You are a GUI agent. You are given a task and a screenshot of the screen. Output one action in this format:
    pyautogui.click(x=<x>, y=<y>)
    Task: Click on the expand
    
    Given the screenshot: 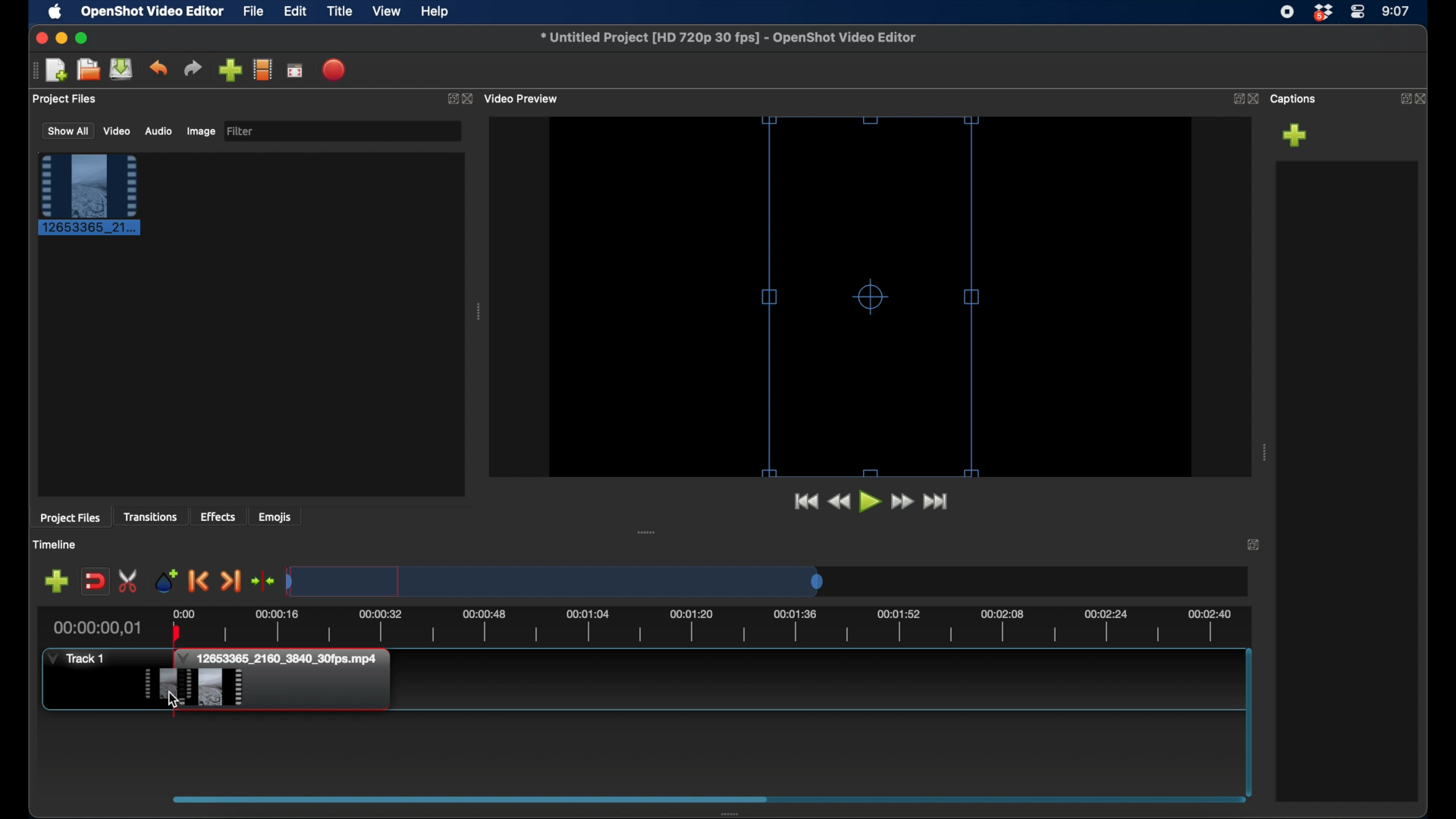 What is the action you would take?
    pyautogui.click(x=1254, y=546)
    